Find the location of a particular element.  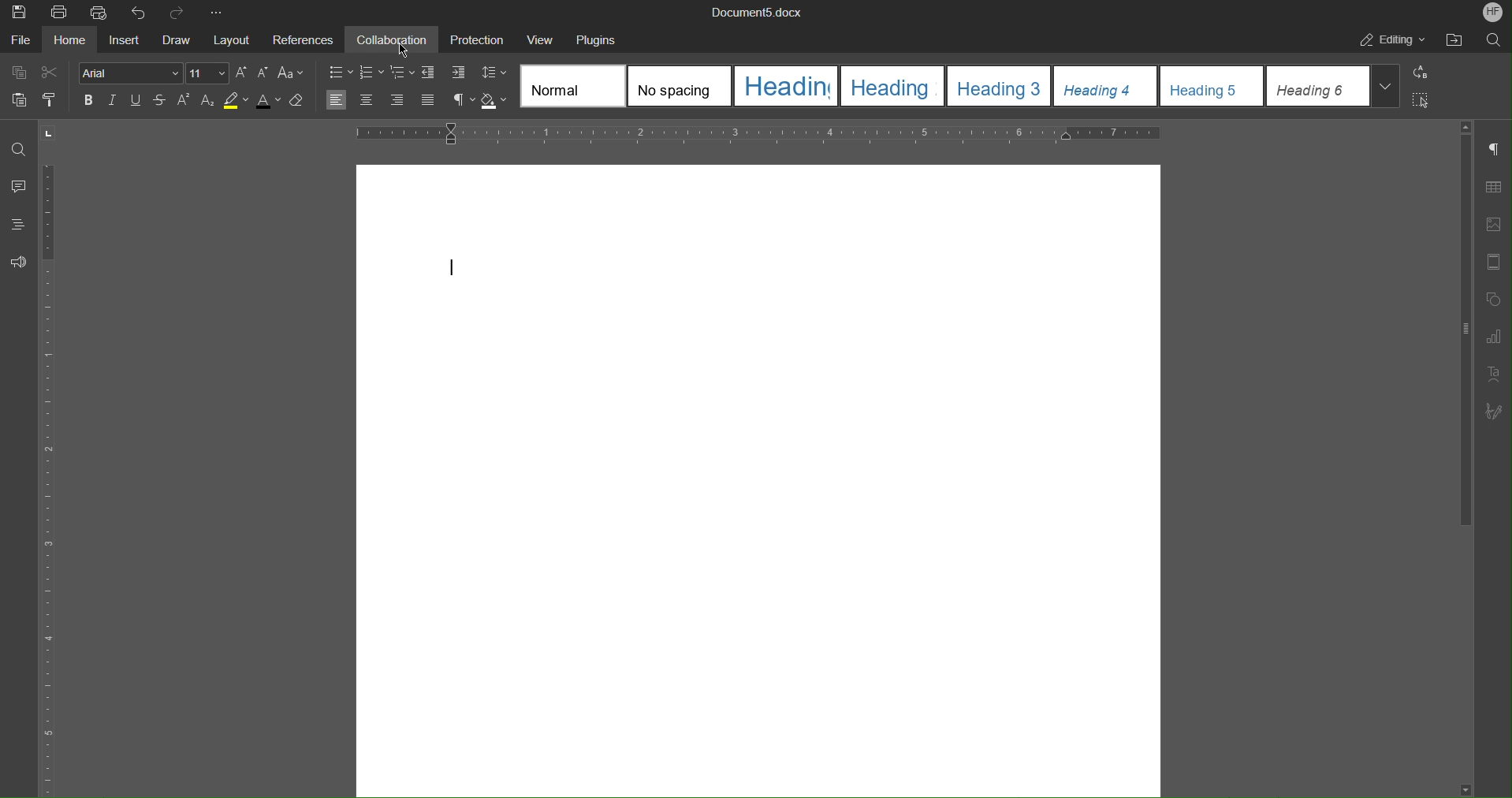

vertical scroll bar is located at coordinates (1462, 326).